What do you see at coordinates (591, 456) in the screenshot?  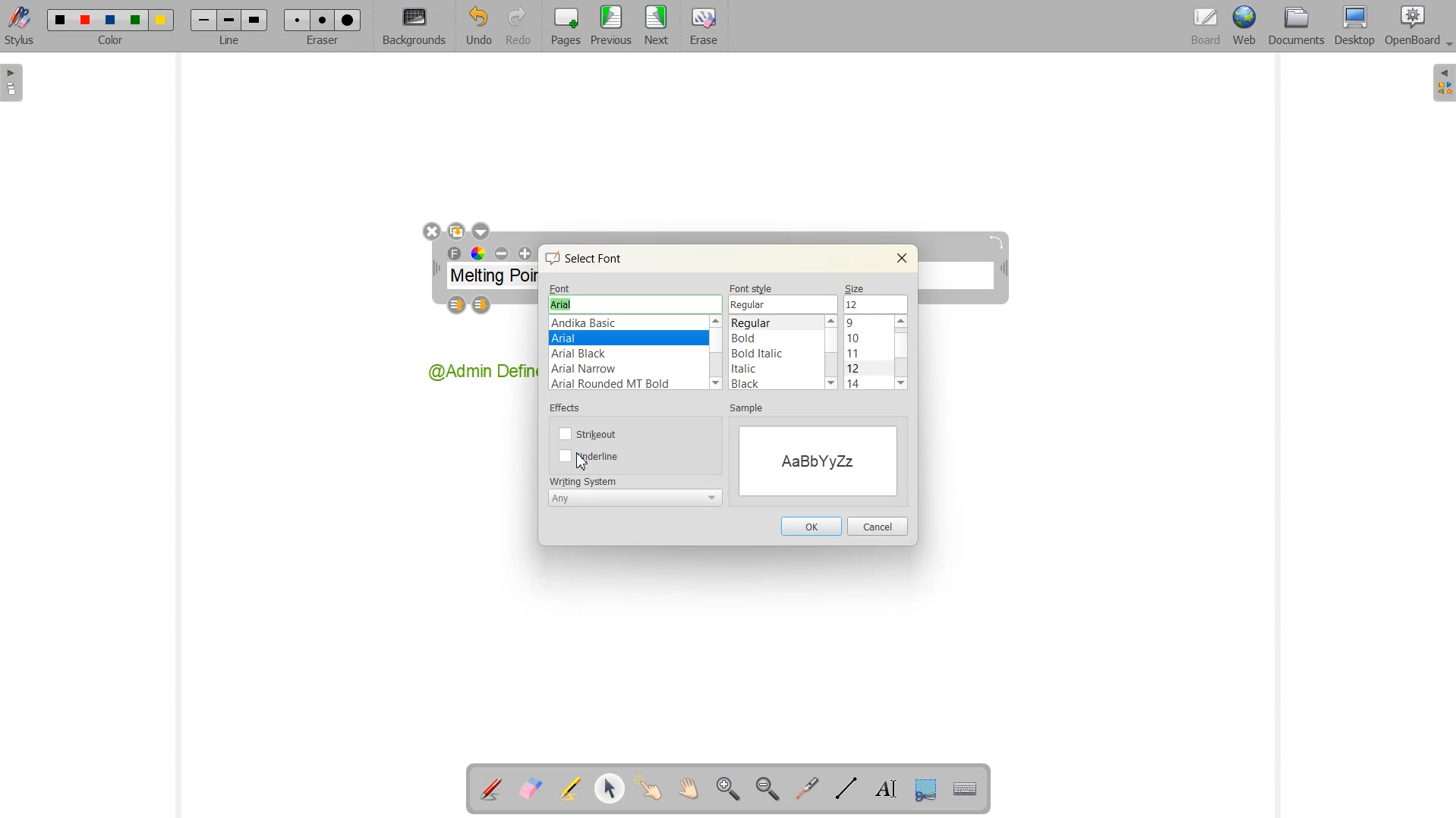 I see `Underline` at bounding box center [591, 456].